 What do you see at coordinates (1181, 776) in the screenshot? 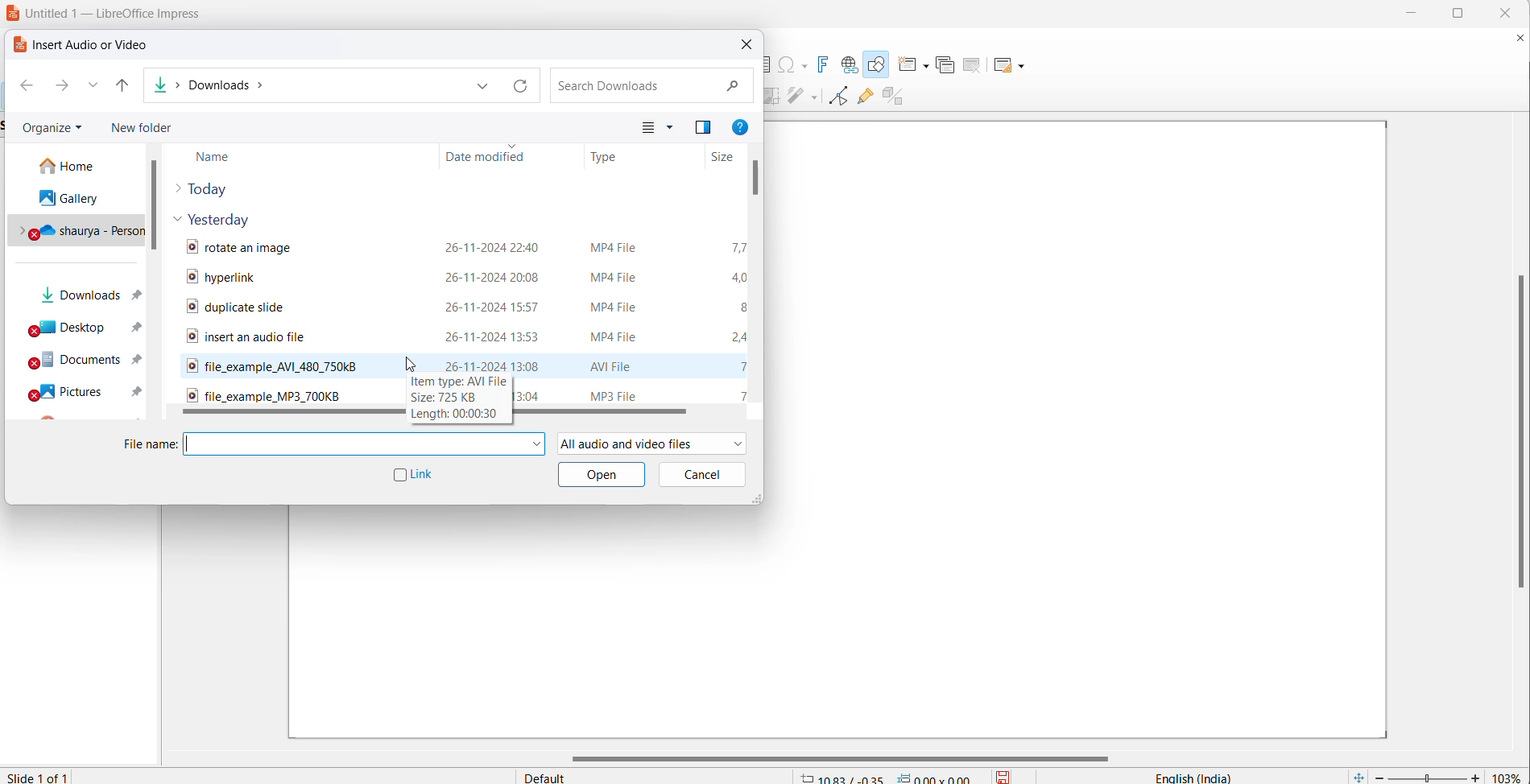
I see `text language` at bounding box center [1181, 776].